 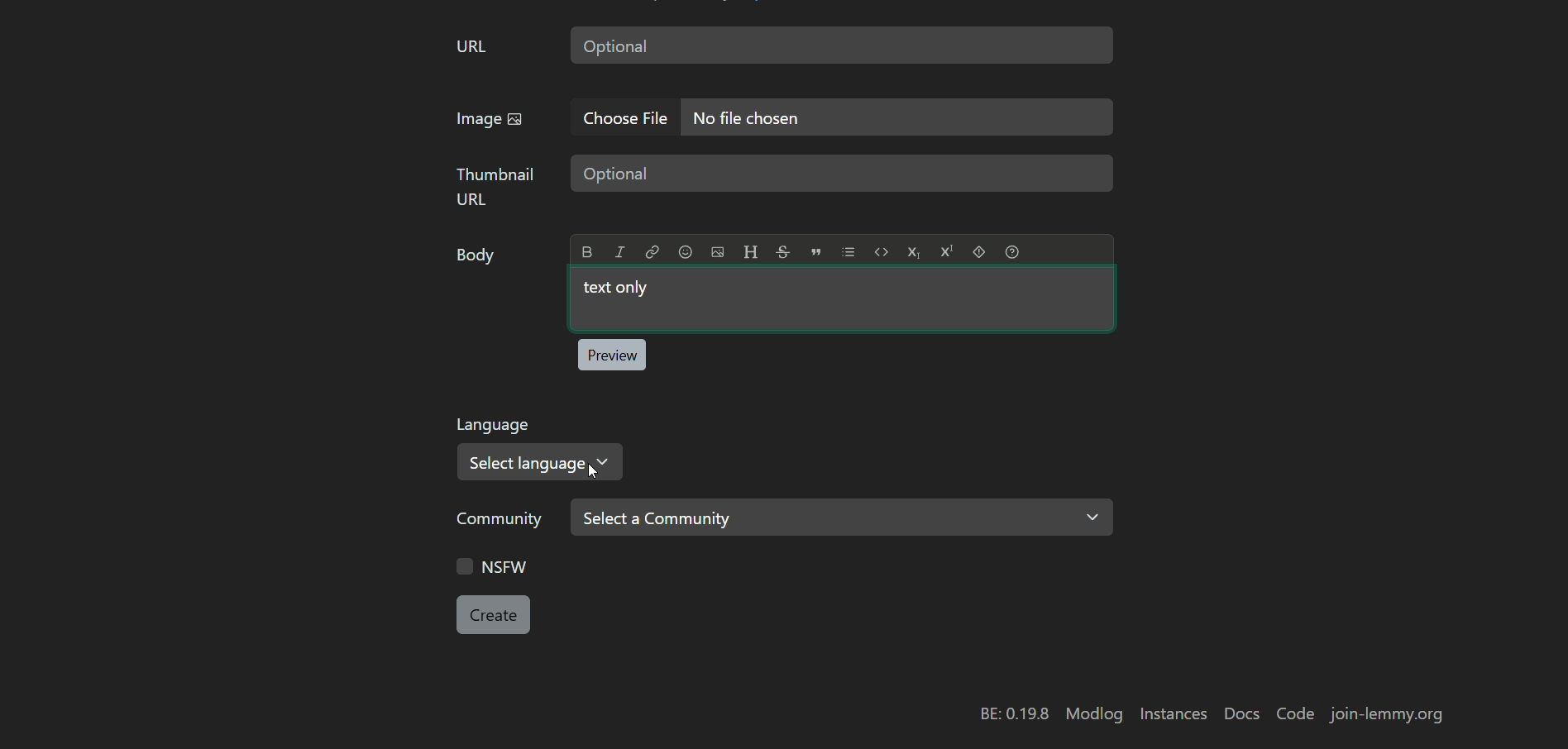 What do you see at coordinates (1015, 714) in the screenshot?
I see `BE: 0.19.8` at bounding box center [1015, 714].